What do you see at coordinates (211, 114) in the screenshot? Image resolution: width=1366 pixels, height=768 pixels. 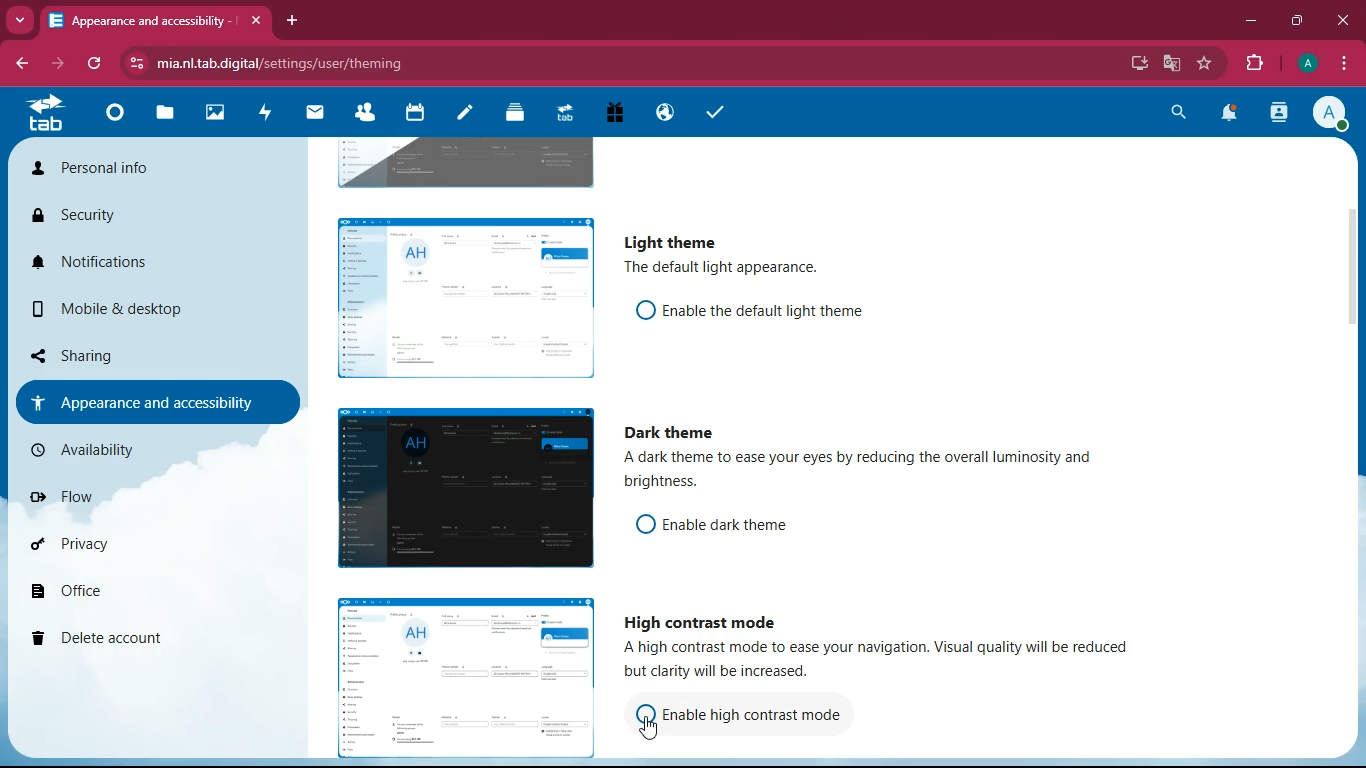 I see `images` at bounding box center [211, 114].